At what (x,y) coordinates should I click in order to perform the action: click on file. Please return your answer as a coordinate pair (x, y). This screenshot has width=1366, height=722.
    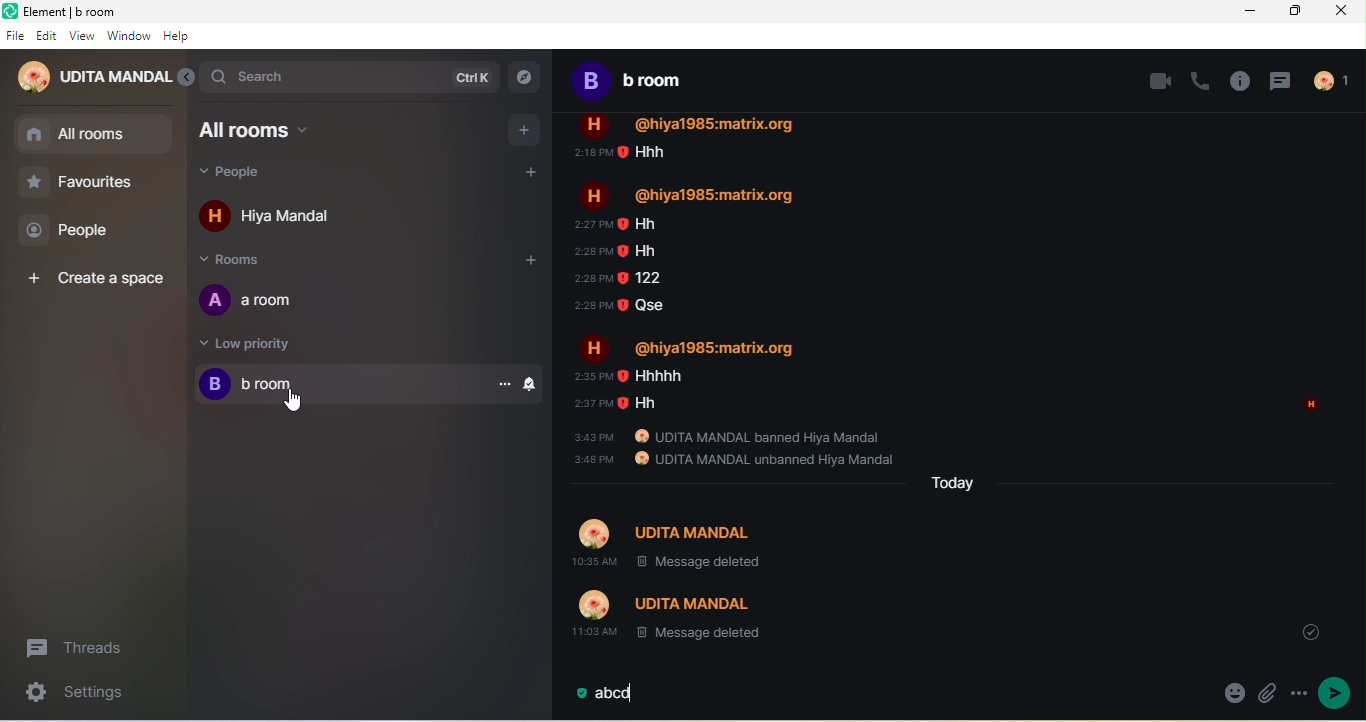
    Looking at the image, I should click on (15, 37).